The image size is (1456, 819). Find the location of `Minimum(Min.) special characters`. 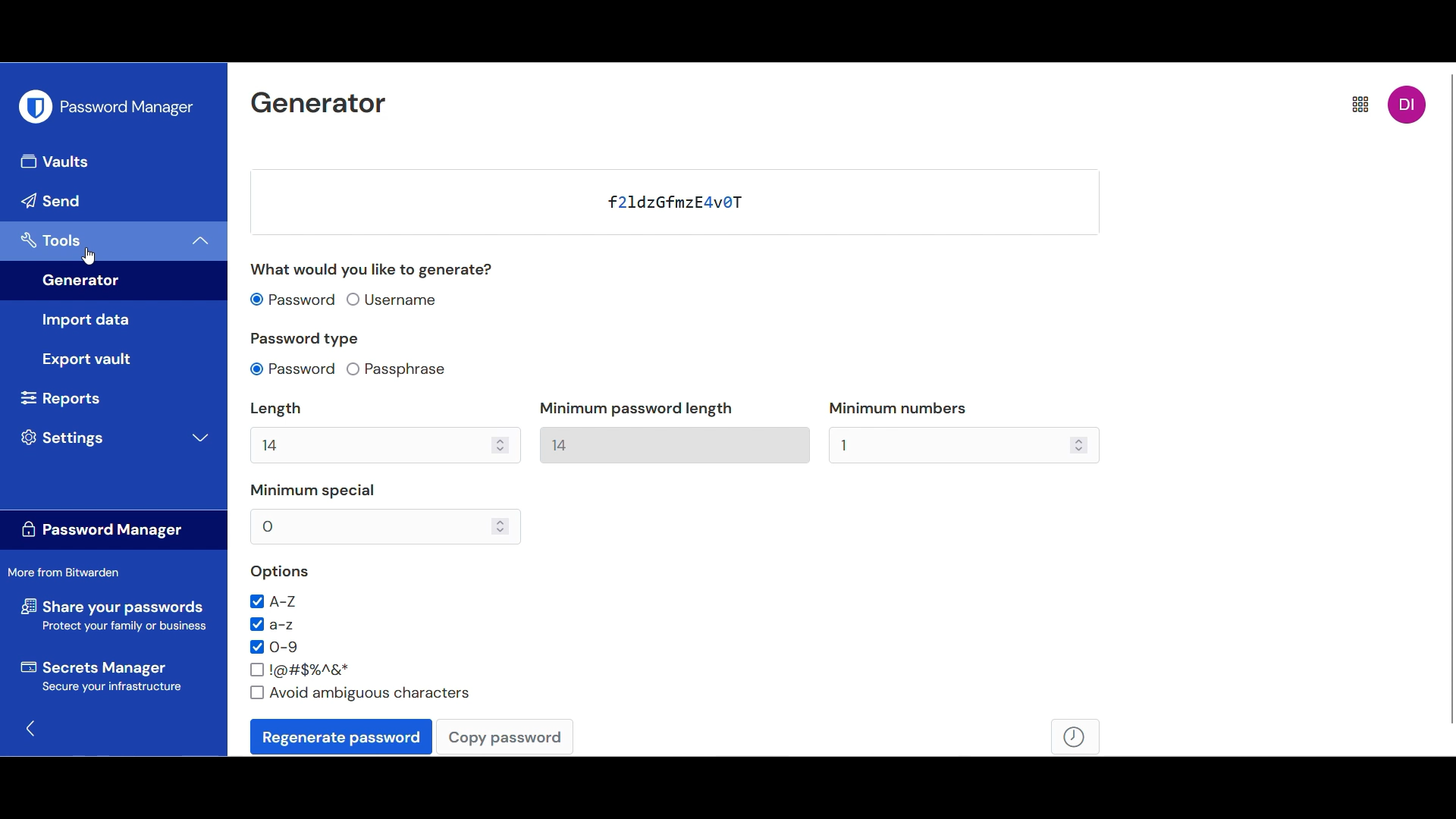

Minimum(Min.) special characters is located at coordinates (312, 491).